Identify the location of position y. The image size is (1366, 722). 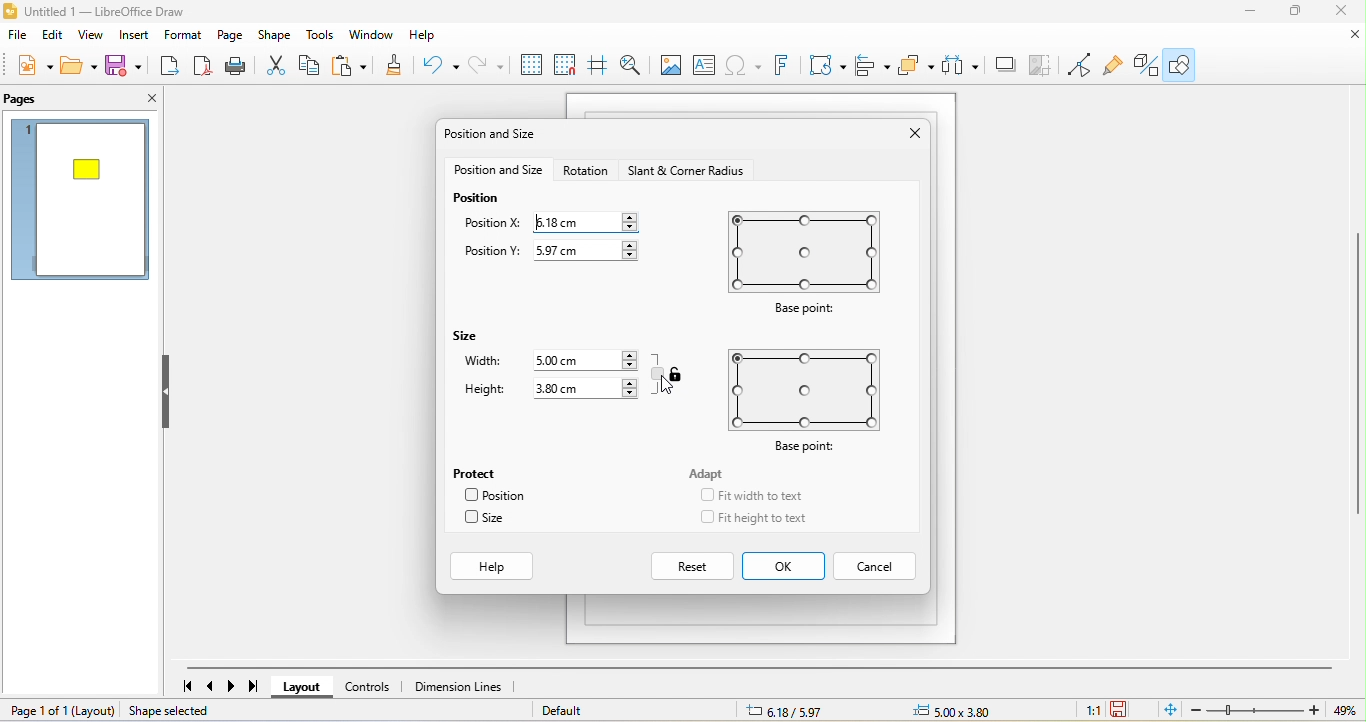
(485, 253).